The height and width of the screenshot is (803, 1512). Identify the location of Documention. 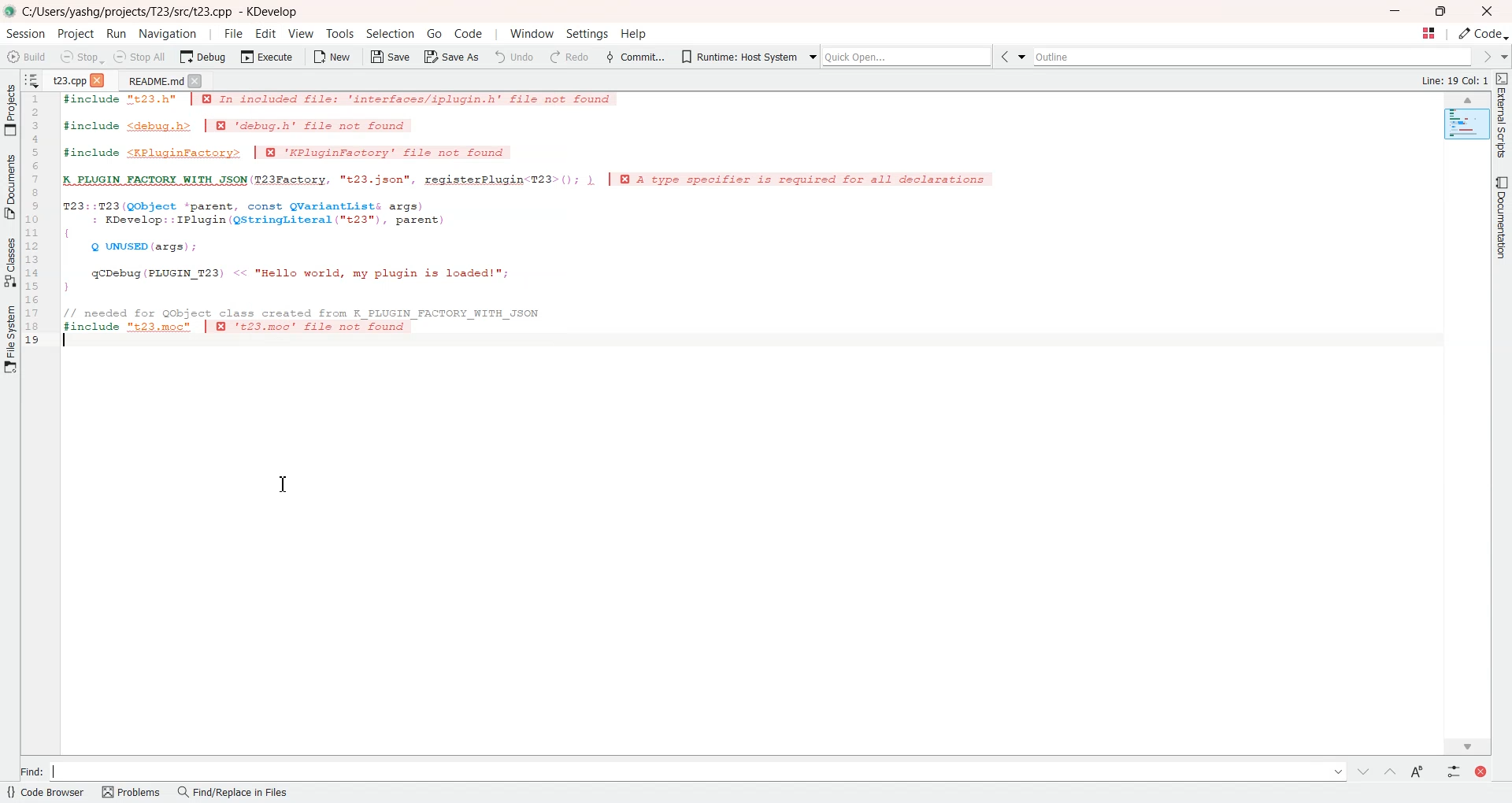
(1499, 216).